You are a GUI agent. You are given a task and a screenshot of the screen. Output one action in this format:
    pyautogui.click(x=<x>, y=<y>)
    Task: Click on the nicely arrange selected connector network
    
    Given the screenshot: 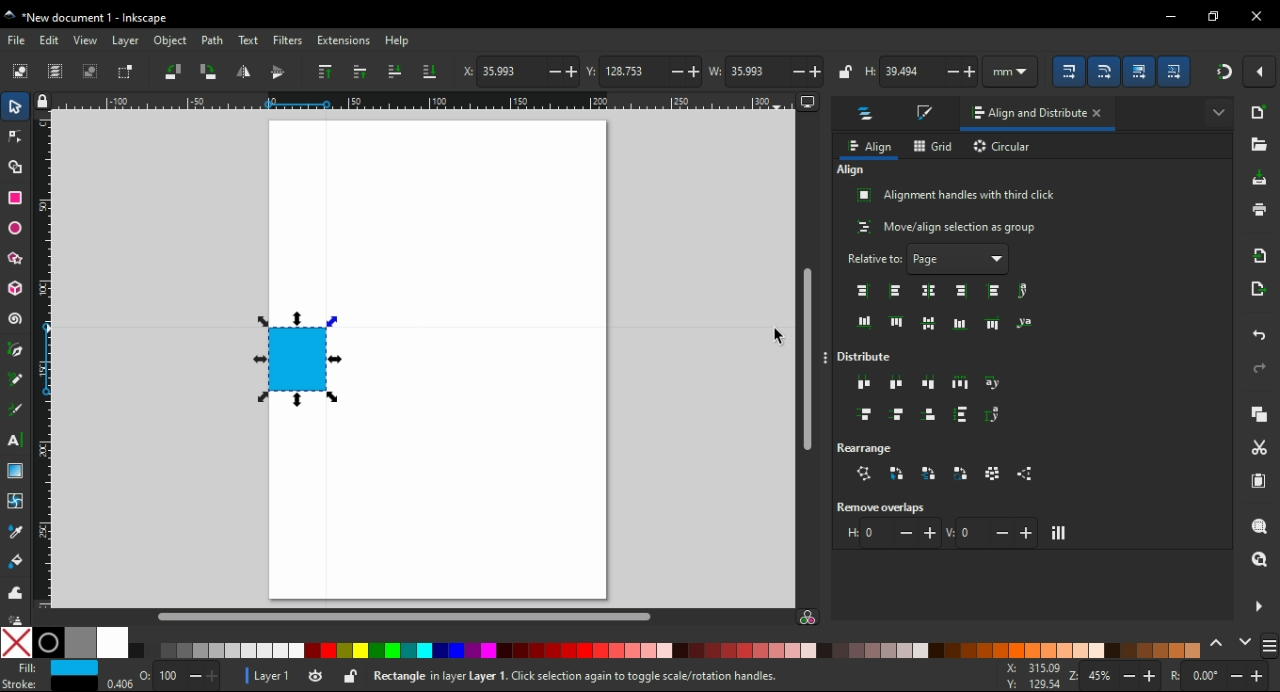 What is the action you would take?
    pyautogui.click(x=866, y=473)
    